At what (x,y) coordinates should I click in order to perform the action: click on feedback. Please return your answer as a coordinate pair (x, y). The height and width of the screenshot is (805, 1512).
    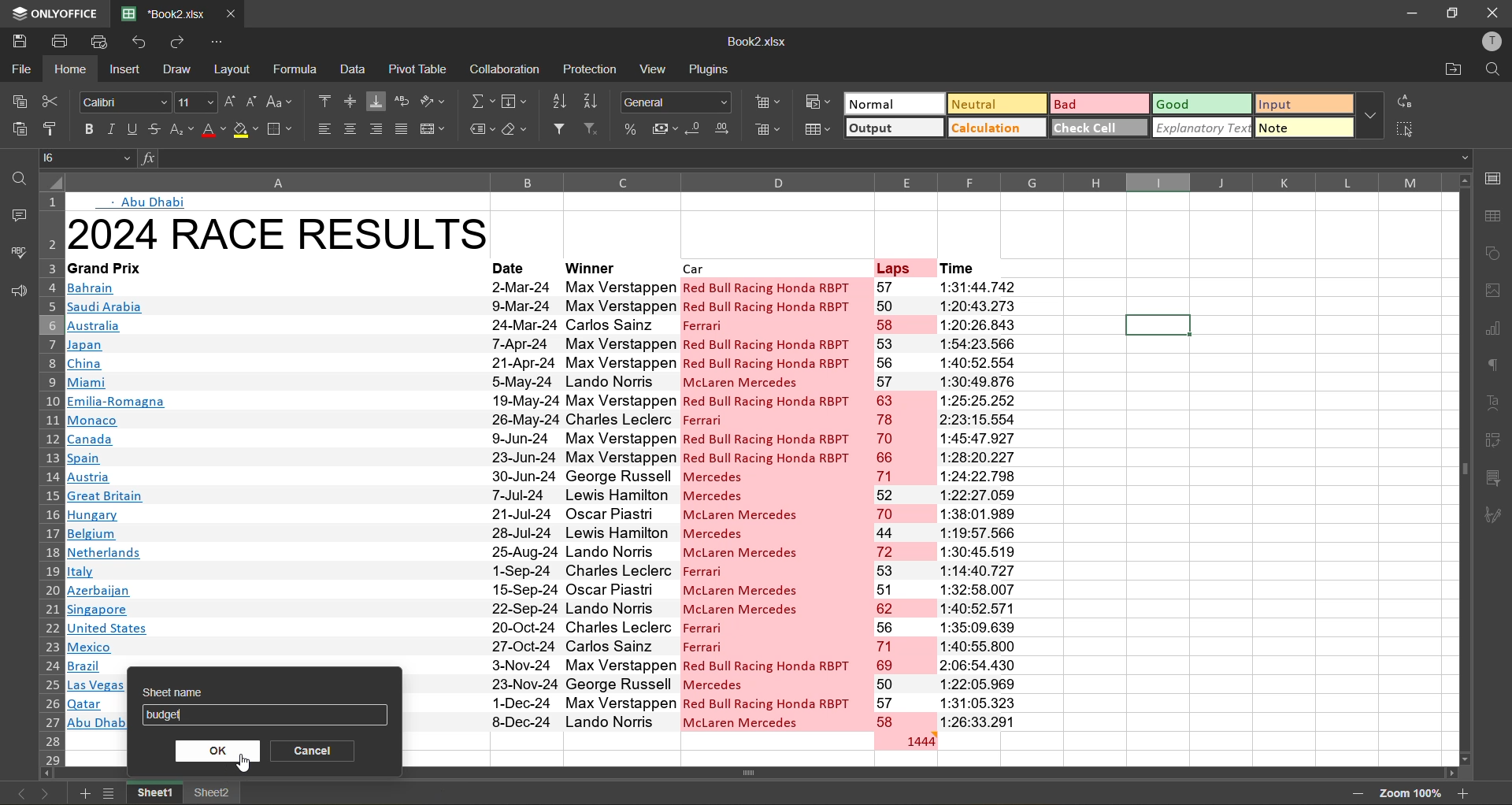
    Looking at the image, I should click on (16, 295).